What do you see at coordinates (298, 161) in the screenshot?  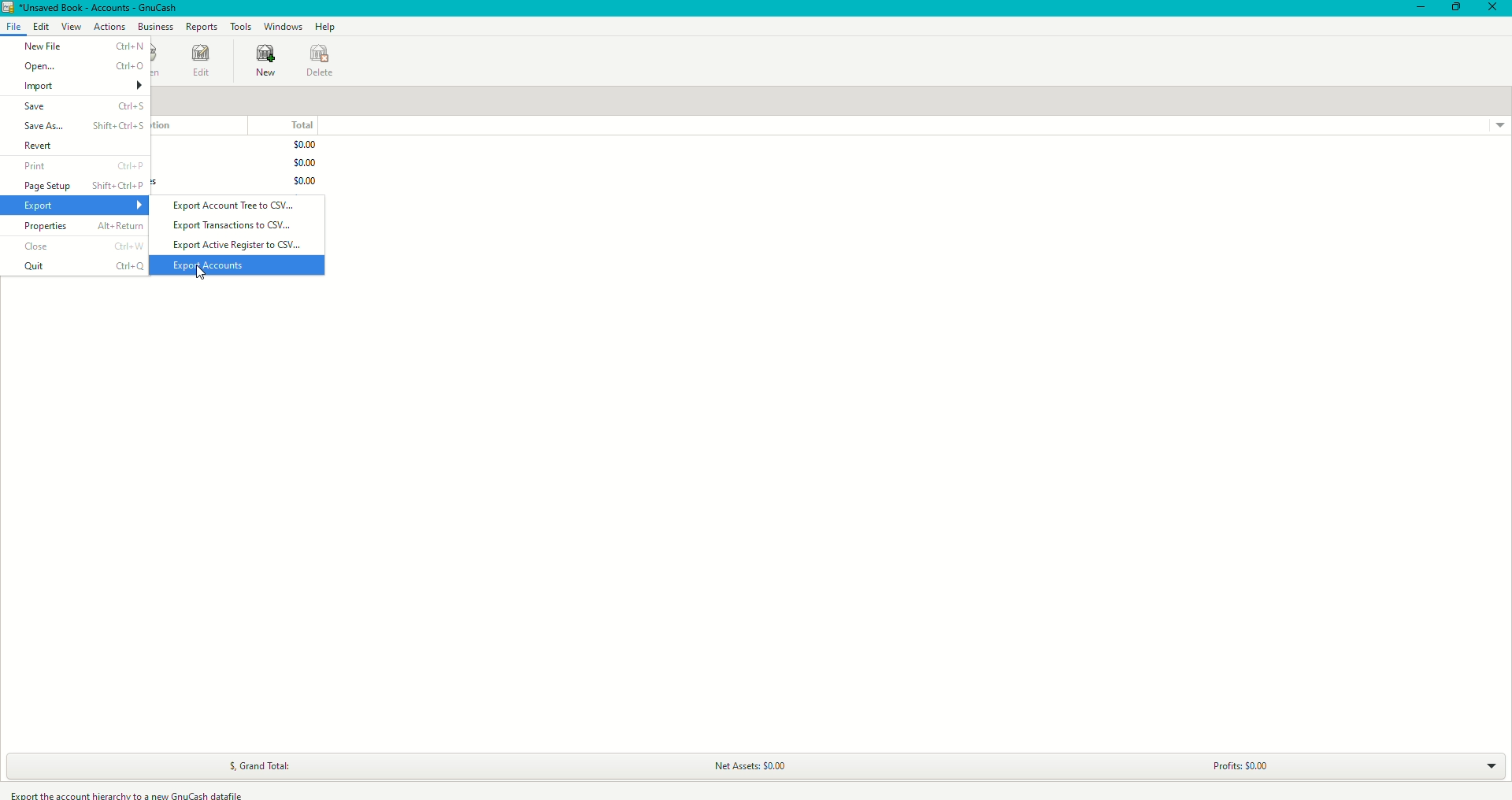 I see `$0` at bounding box center [298, 161].